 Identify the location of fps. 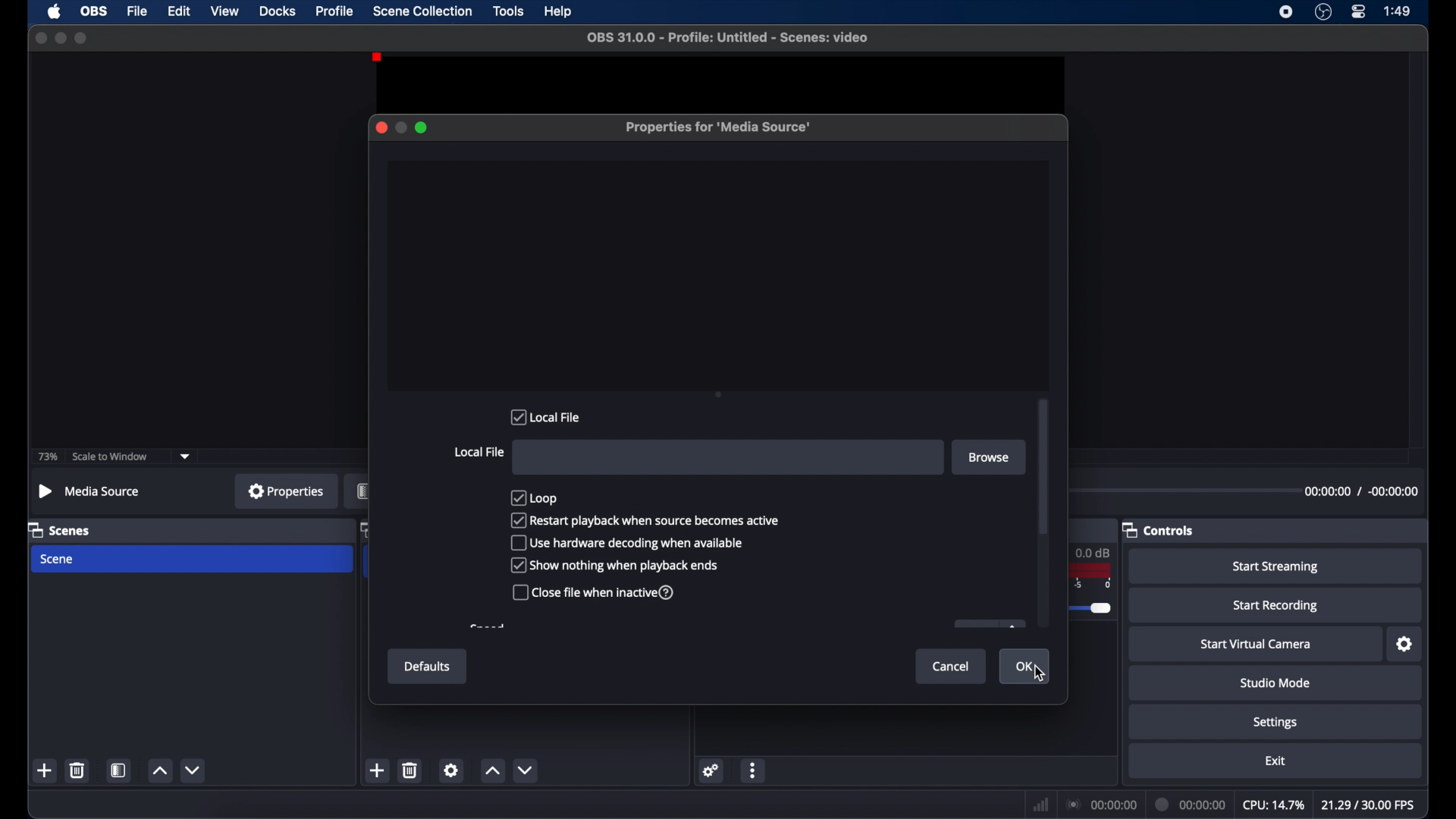
(1368, 805).